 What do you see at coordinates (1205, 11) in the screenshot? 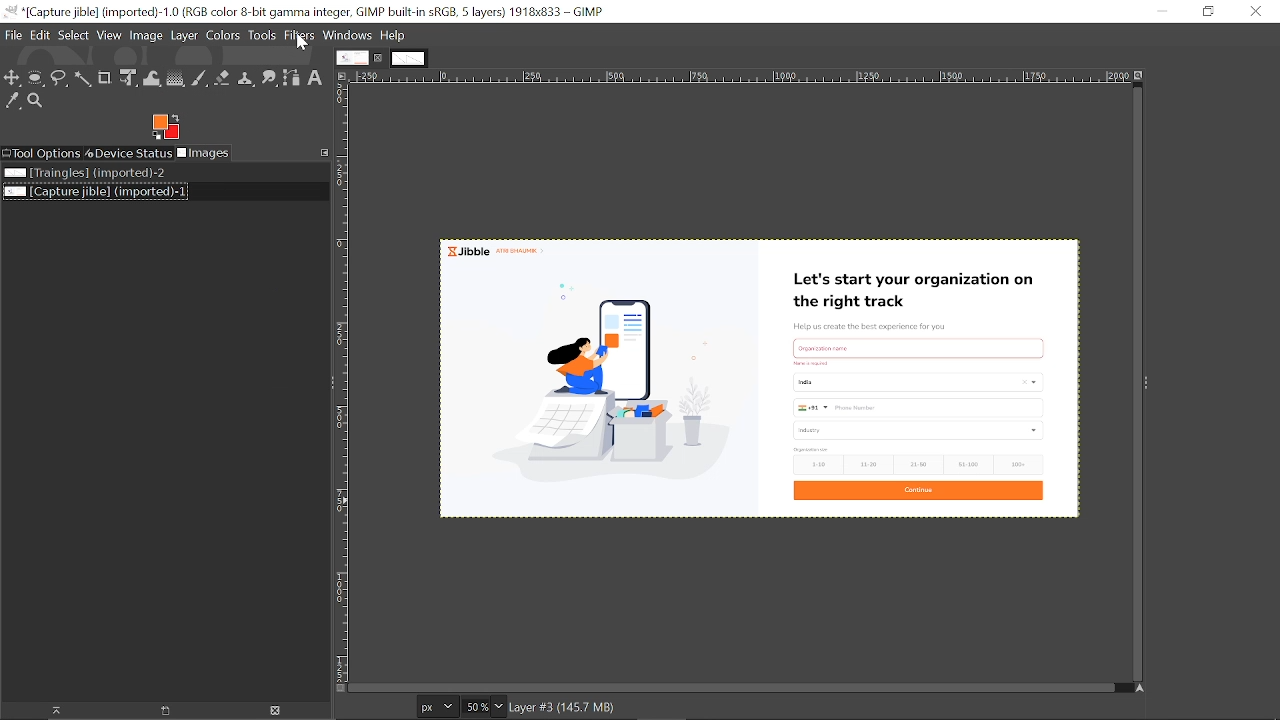
I see `Restore down` at bounding box center [1205, 11].